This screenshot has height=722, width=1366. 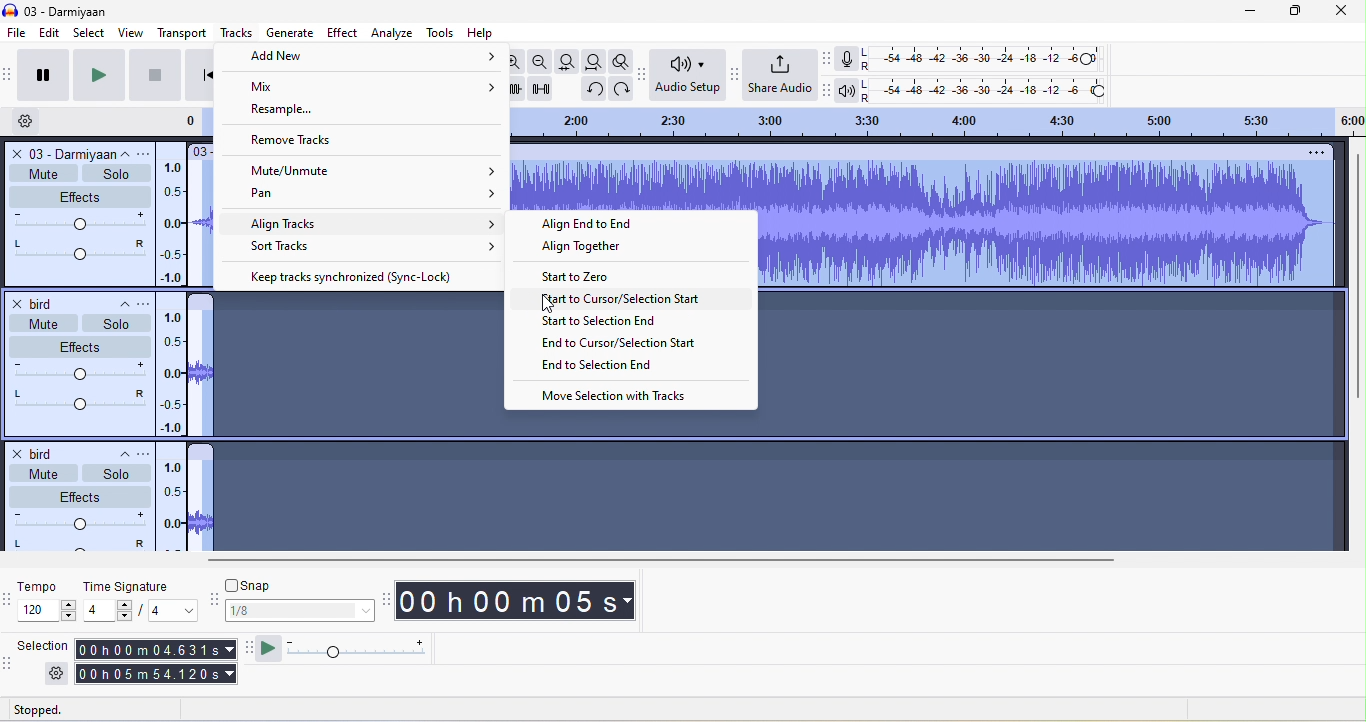 What do you see at coordinates (293, 111) in the screenshot?
I see `resample` at bounding box center [293, 111].